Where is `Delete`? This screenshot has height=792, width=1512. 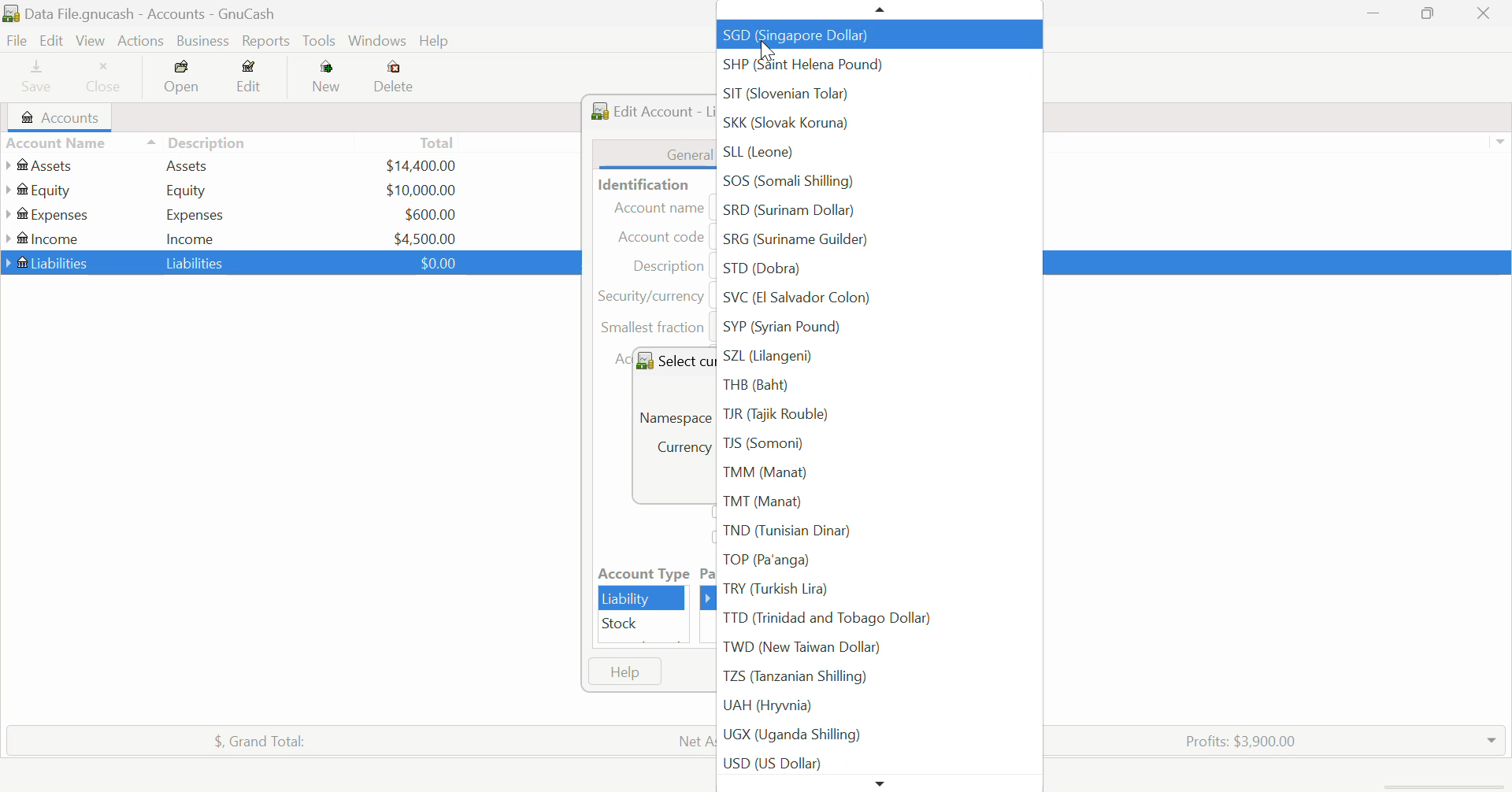
Delete is located at coordinates (394, 77).